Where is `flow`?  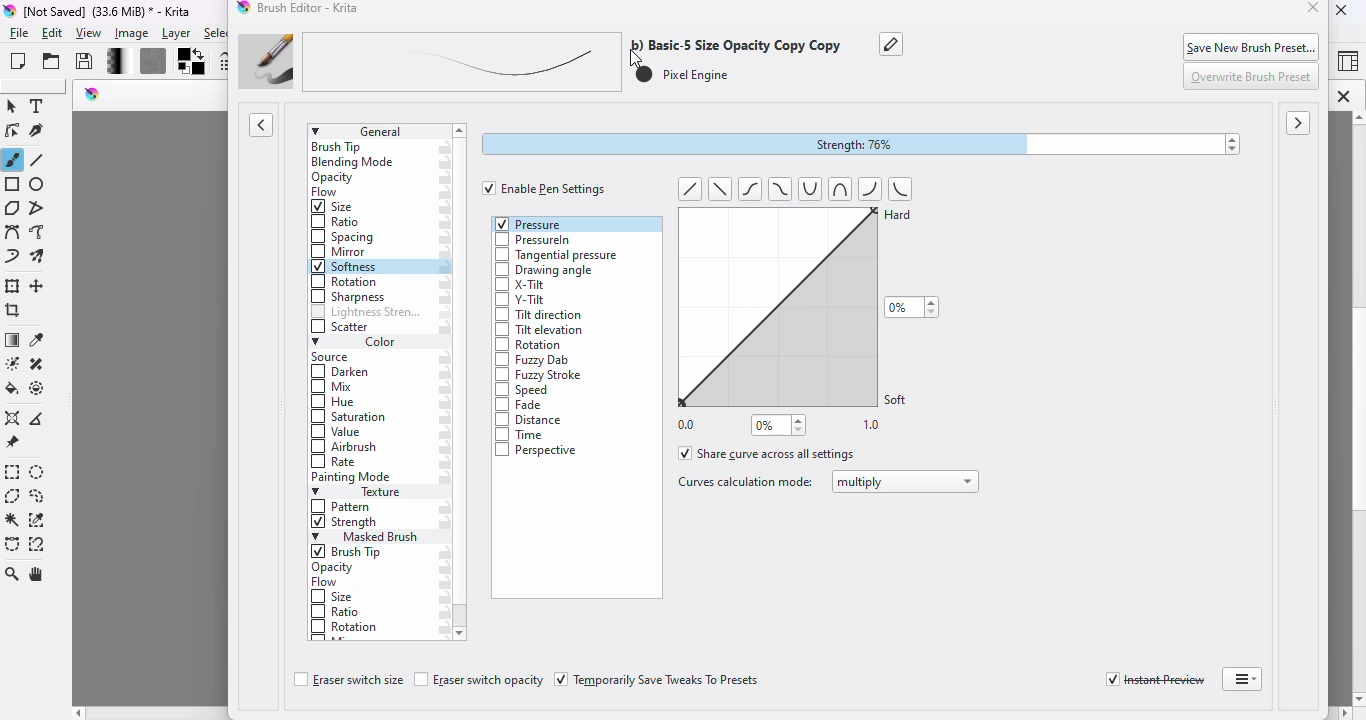
flow is located at coordinates (325, 583).